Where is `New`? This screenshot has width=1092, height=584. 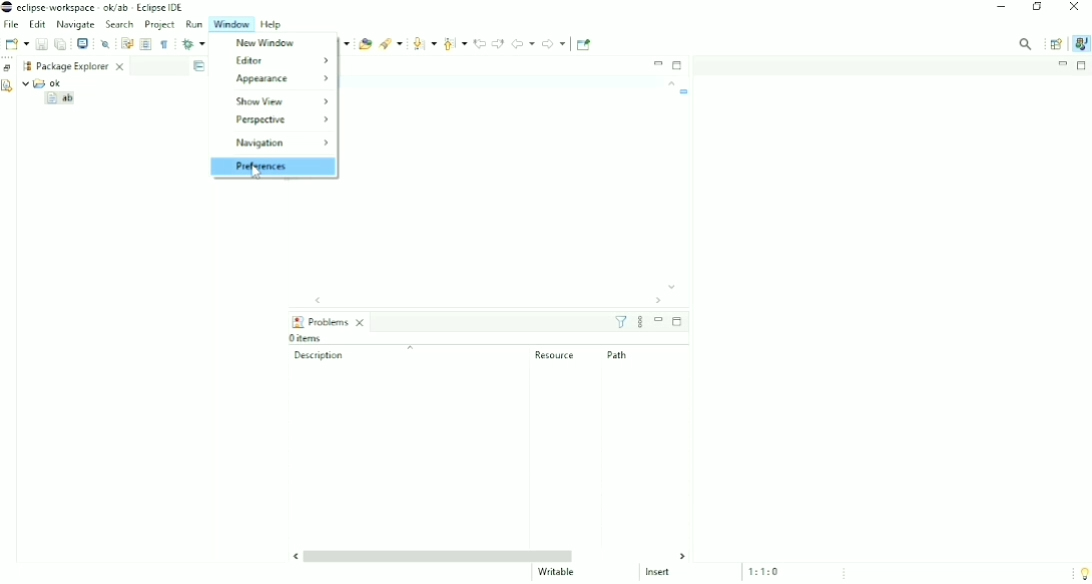 New is located at coordinates (15, 44).